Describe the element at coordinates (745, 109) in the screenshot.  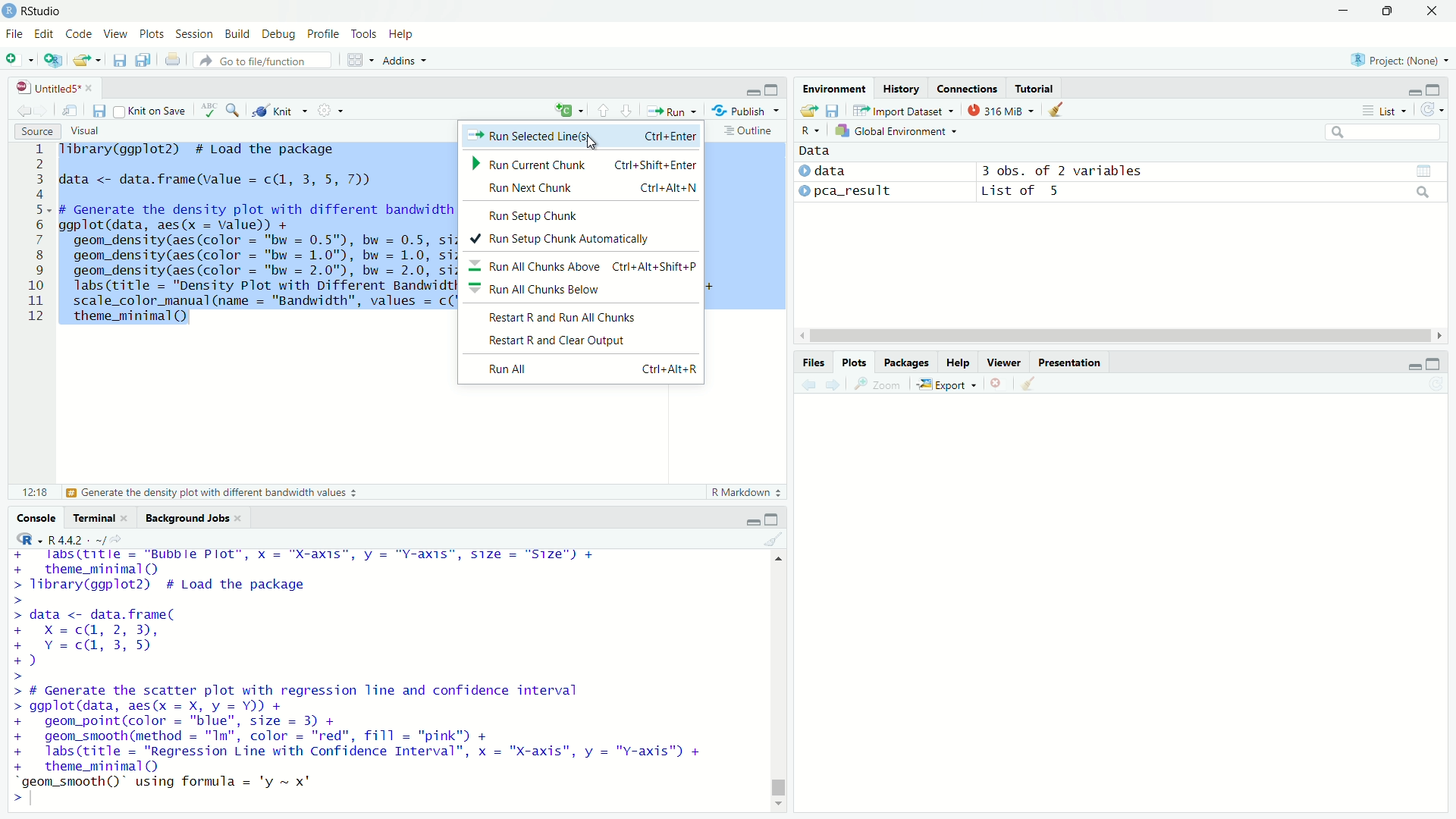
I see `Publish` at that location.